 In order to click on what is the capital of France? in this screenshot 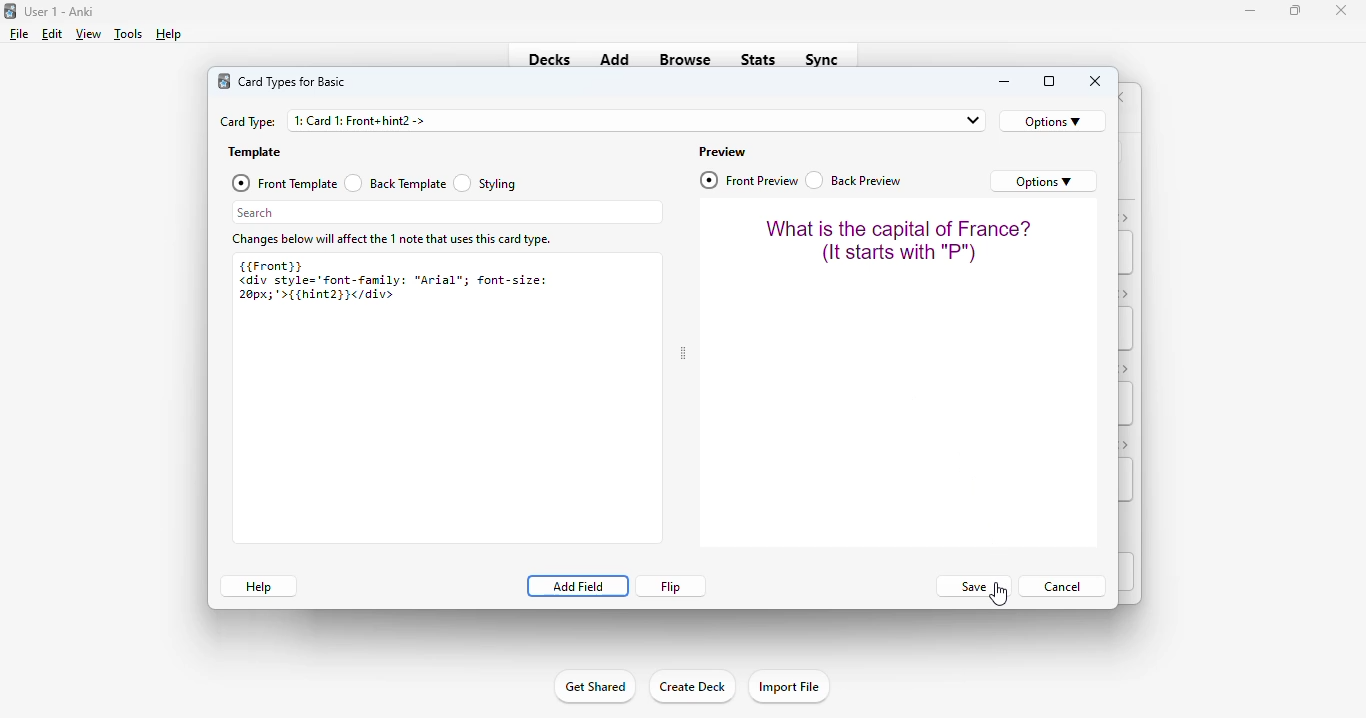, I will do `click(899, 227)`.